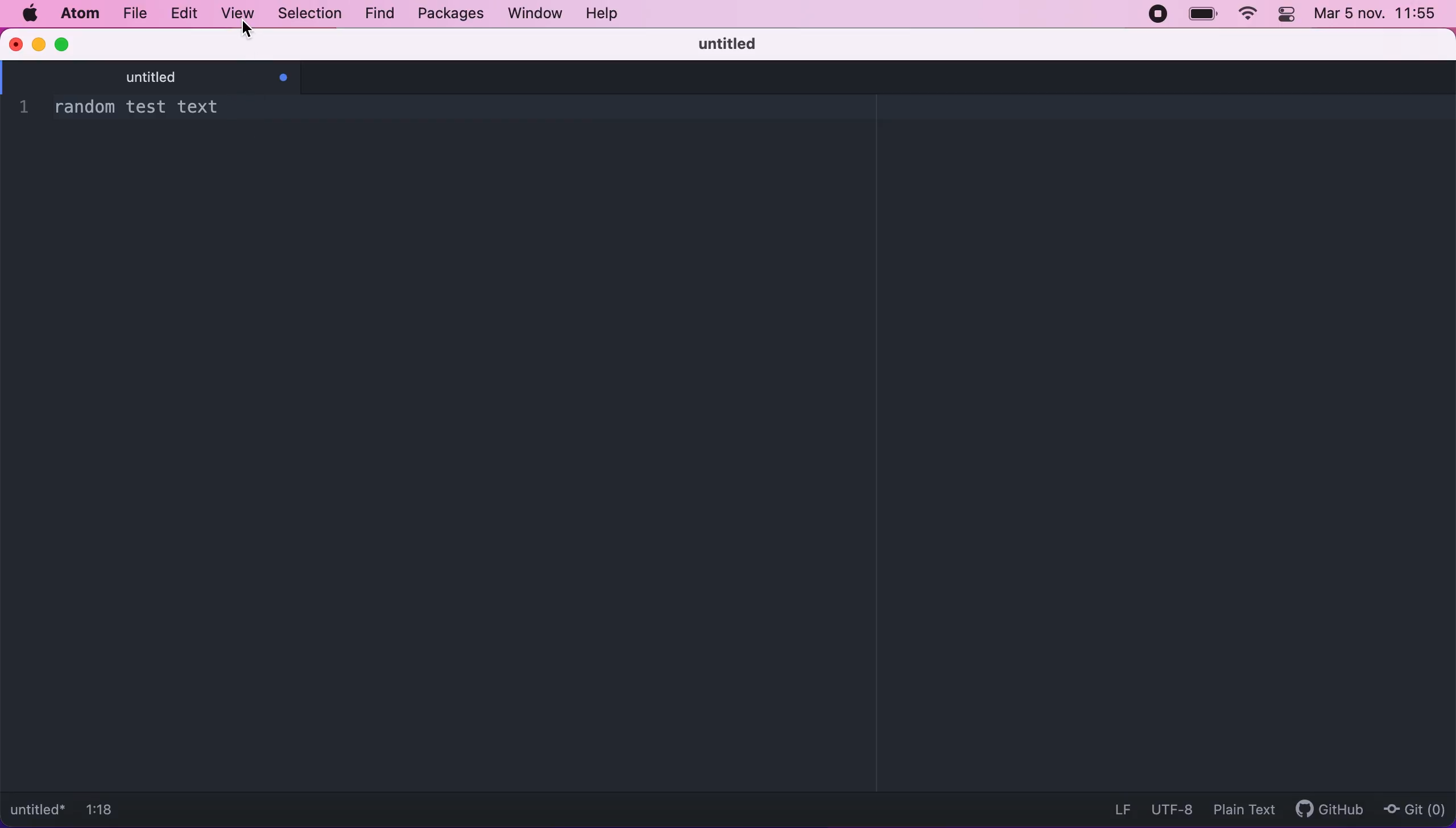 The image size is (1456, 828). Describe the element at coordinates (1413, 810) in the screenshot. I see `Git (0)` at that location.